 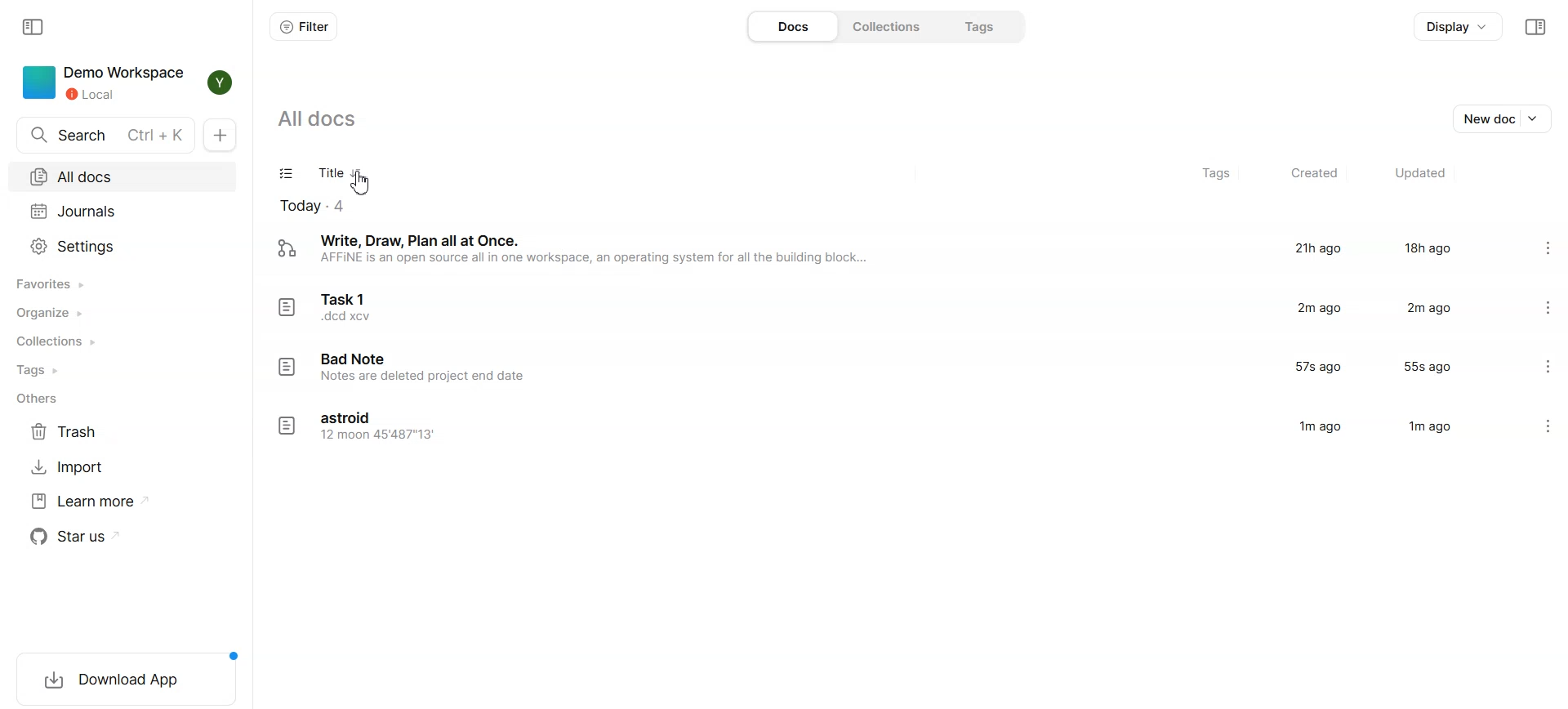 I want to click on Collapse sidebar, so click(x=1536, y=27).